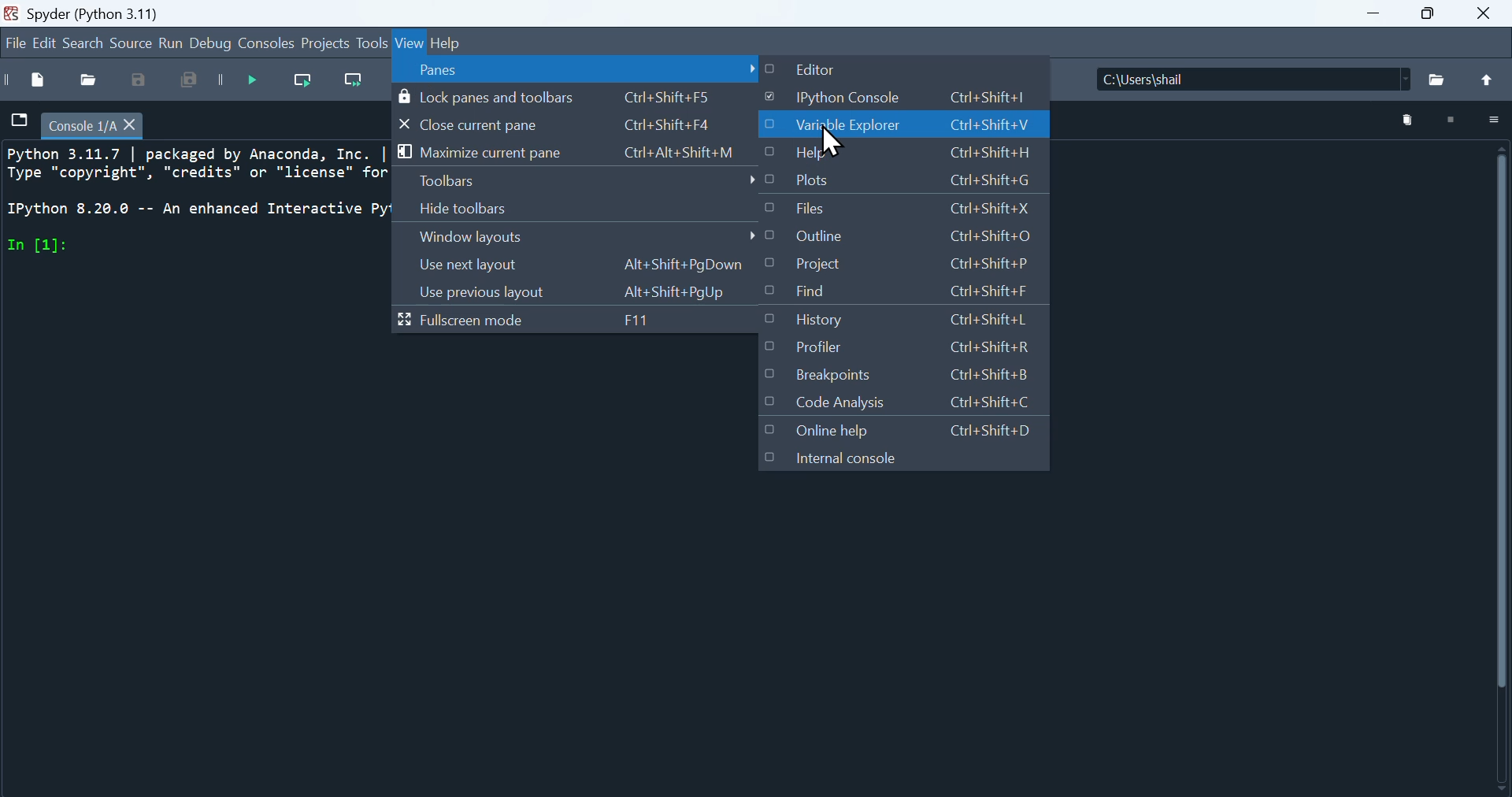  What do you see at coordinates (122, 11) in the screenshot?
I see `Spyder` at bounding box center [122, 11].